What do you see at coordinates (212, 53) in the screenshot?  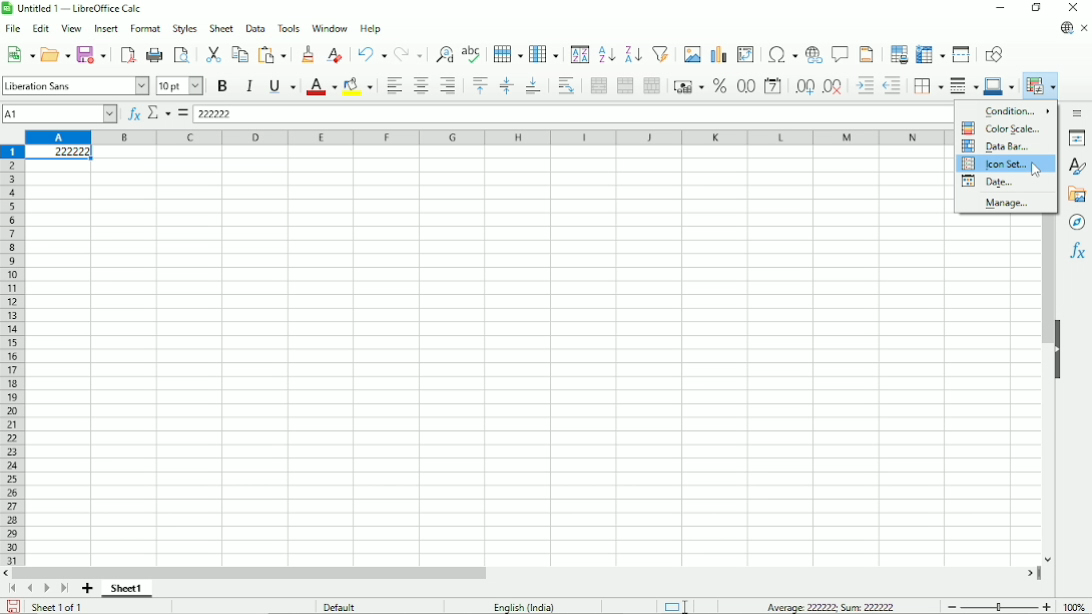 I see `Cut` at bounding box center [212, 53].